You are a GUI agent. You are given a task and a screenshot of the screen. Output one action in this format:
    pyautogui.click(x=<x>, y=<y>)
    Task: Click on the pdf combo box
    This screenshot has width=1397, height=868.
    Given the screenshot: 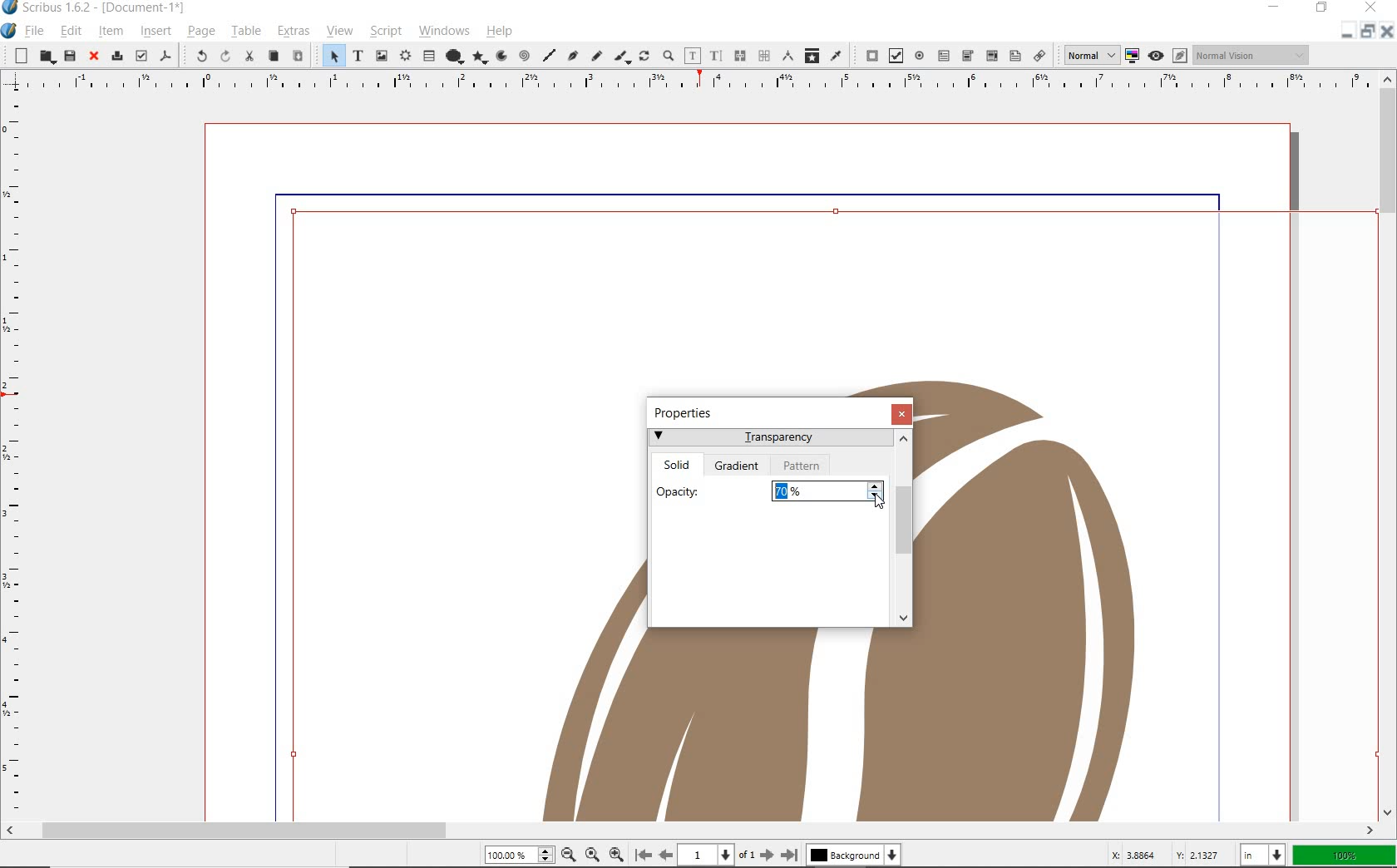 What is the action you would take?
    pyautogui.click(x=990, y=55)
    